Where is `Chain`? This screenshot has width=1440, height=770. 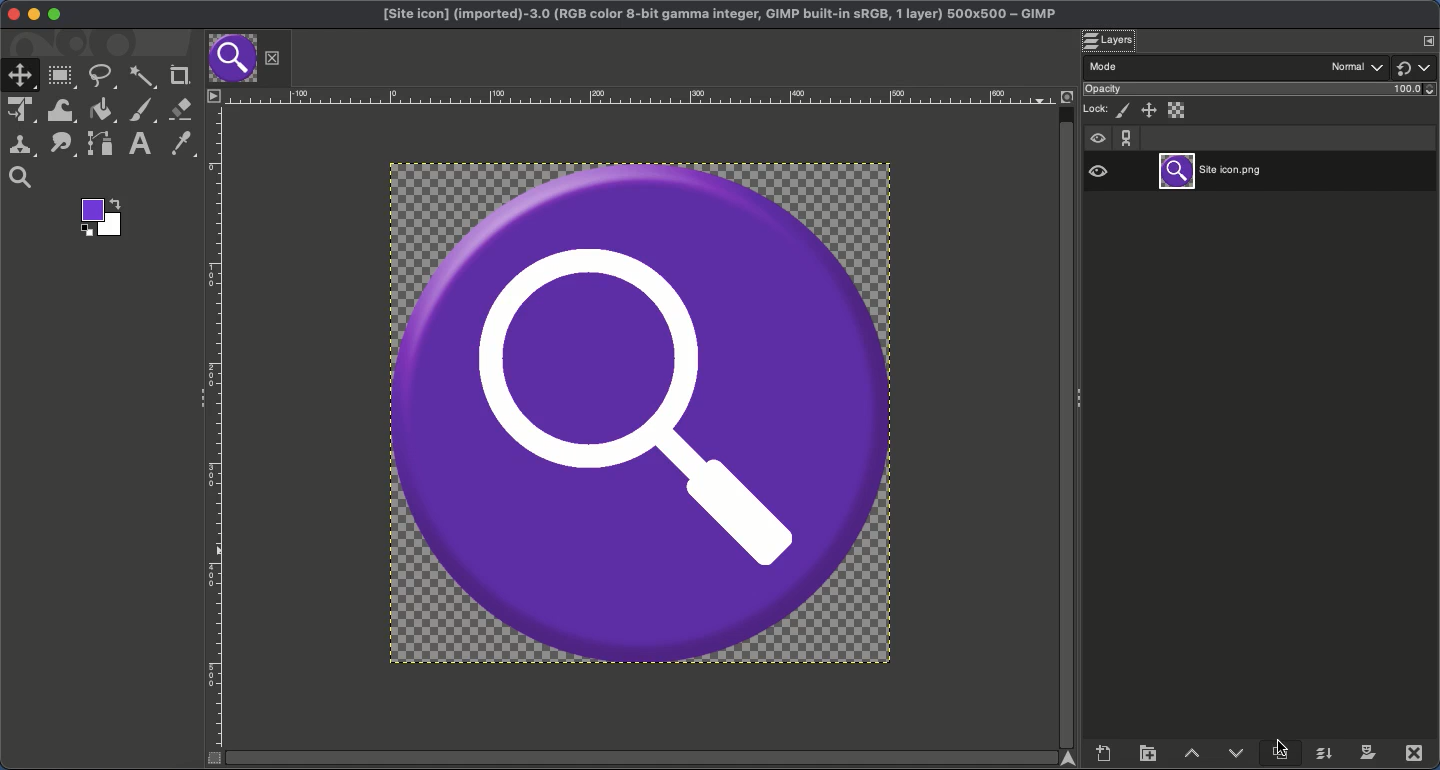 Chain is located at coordinates (1126, 137).